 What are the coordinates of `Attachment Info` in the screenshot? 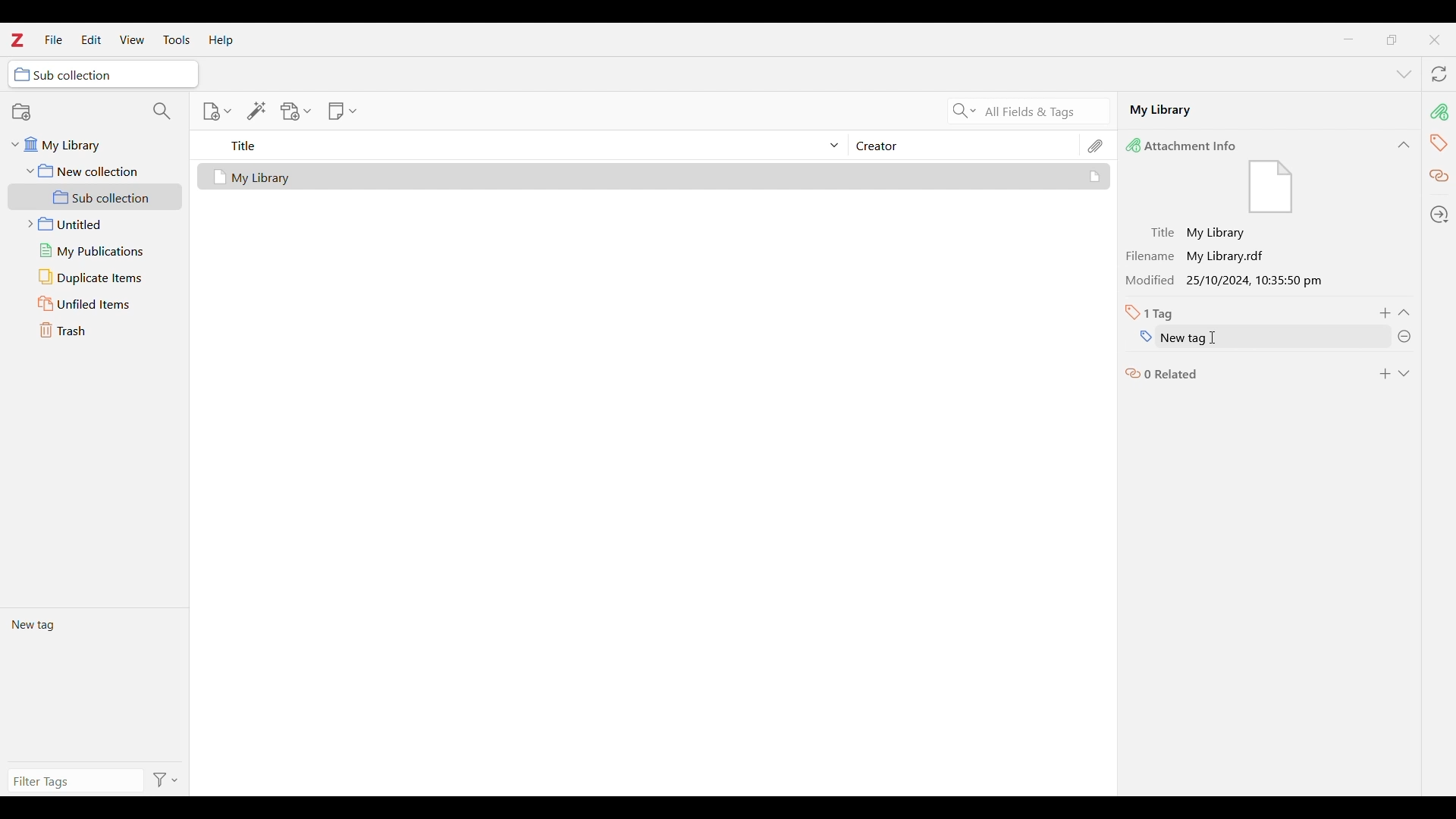 It's located at (1185, 145).